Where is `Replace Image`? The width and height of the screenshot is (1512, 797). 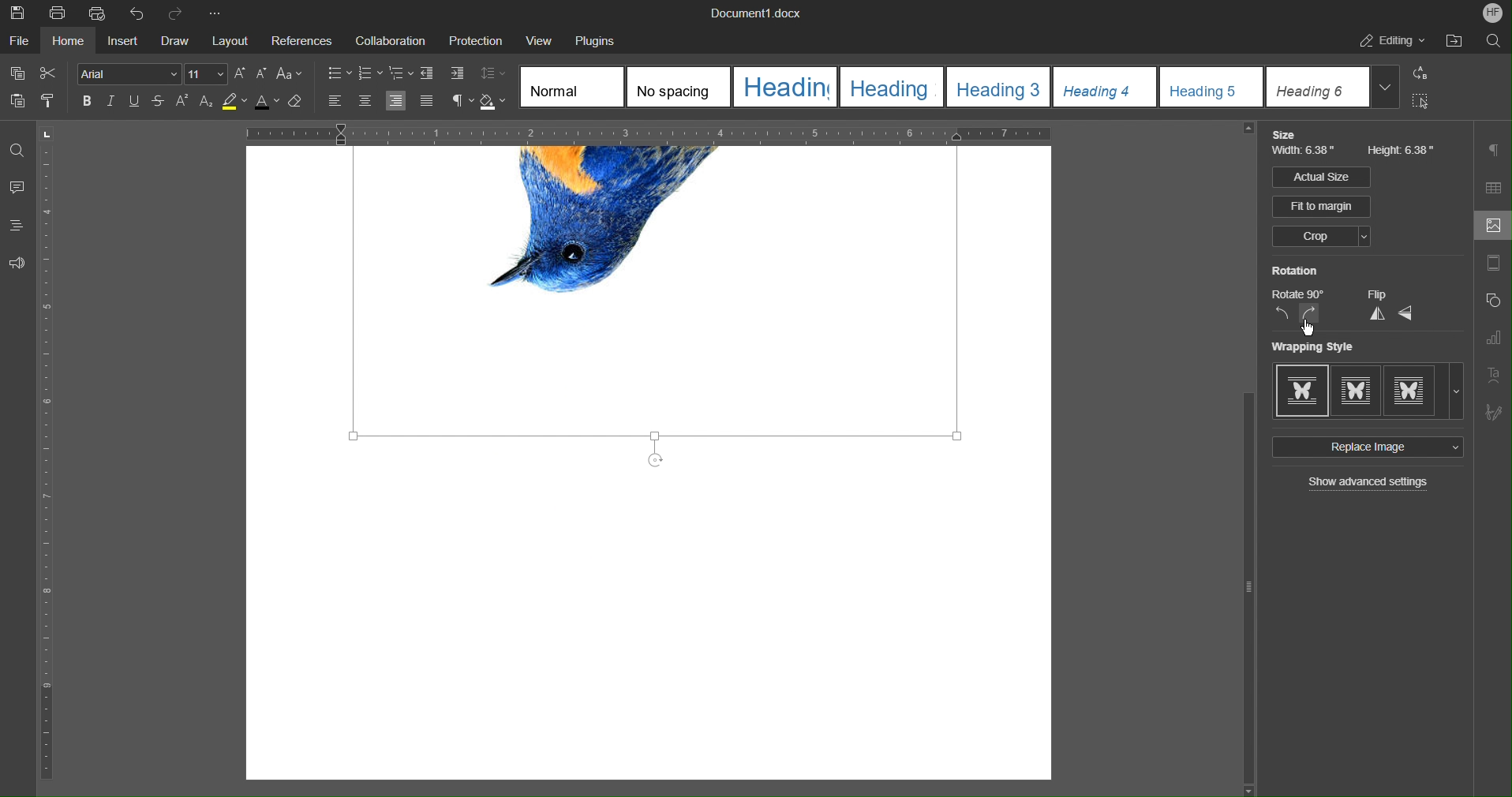
Replace Image is located at coordinates (1281, 449).